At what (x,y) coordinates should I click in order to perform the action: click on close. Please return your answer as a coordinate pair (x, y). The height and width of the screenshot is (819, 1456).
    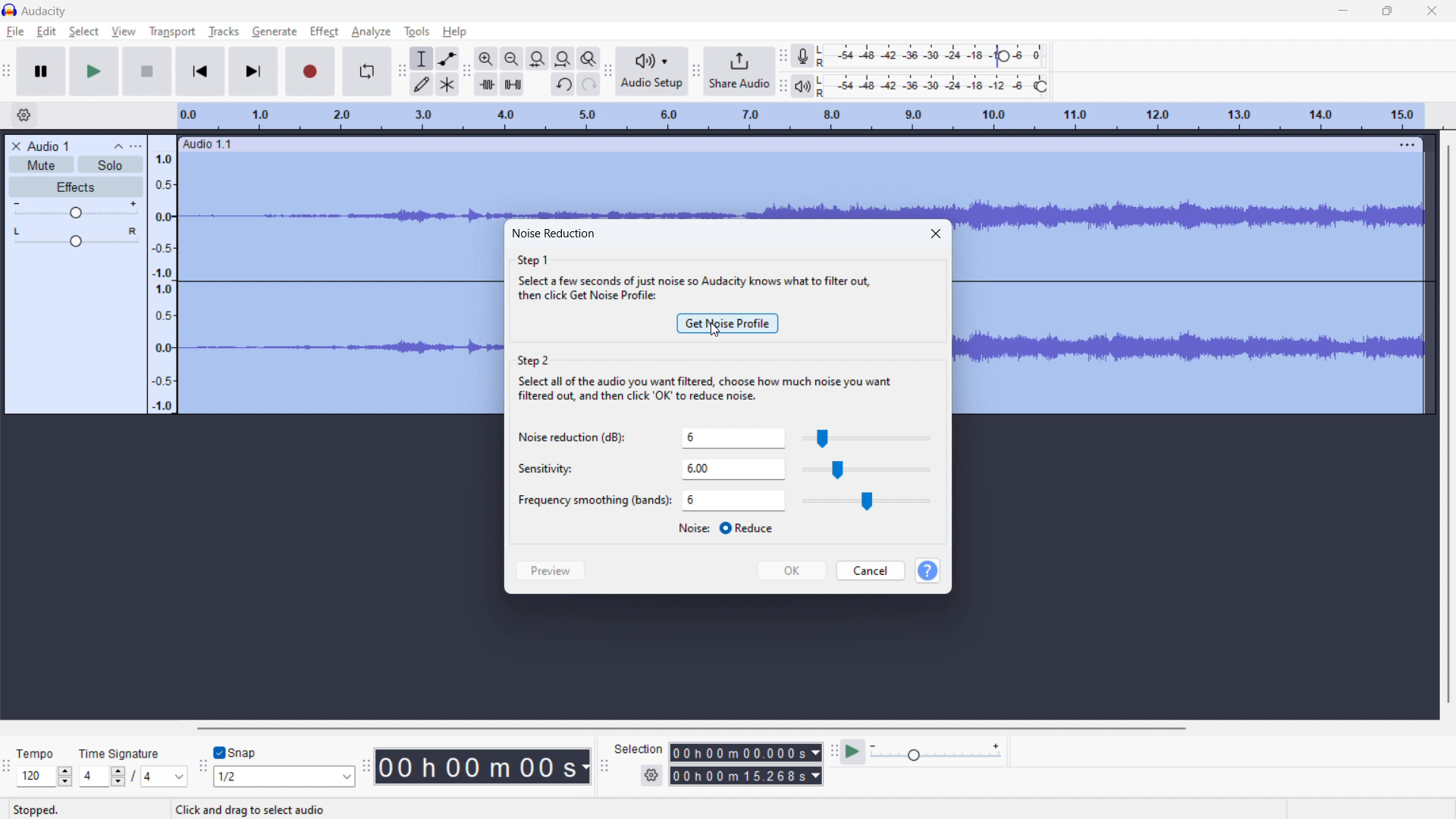
    Looking at the image, I should click on (1432, 11).